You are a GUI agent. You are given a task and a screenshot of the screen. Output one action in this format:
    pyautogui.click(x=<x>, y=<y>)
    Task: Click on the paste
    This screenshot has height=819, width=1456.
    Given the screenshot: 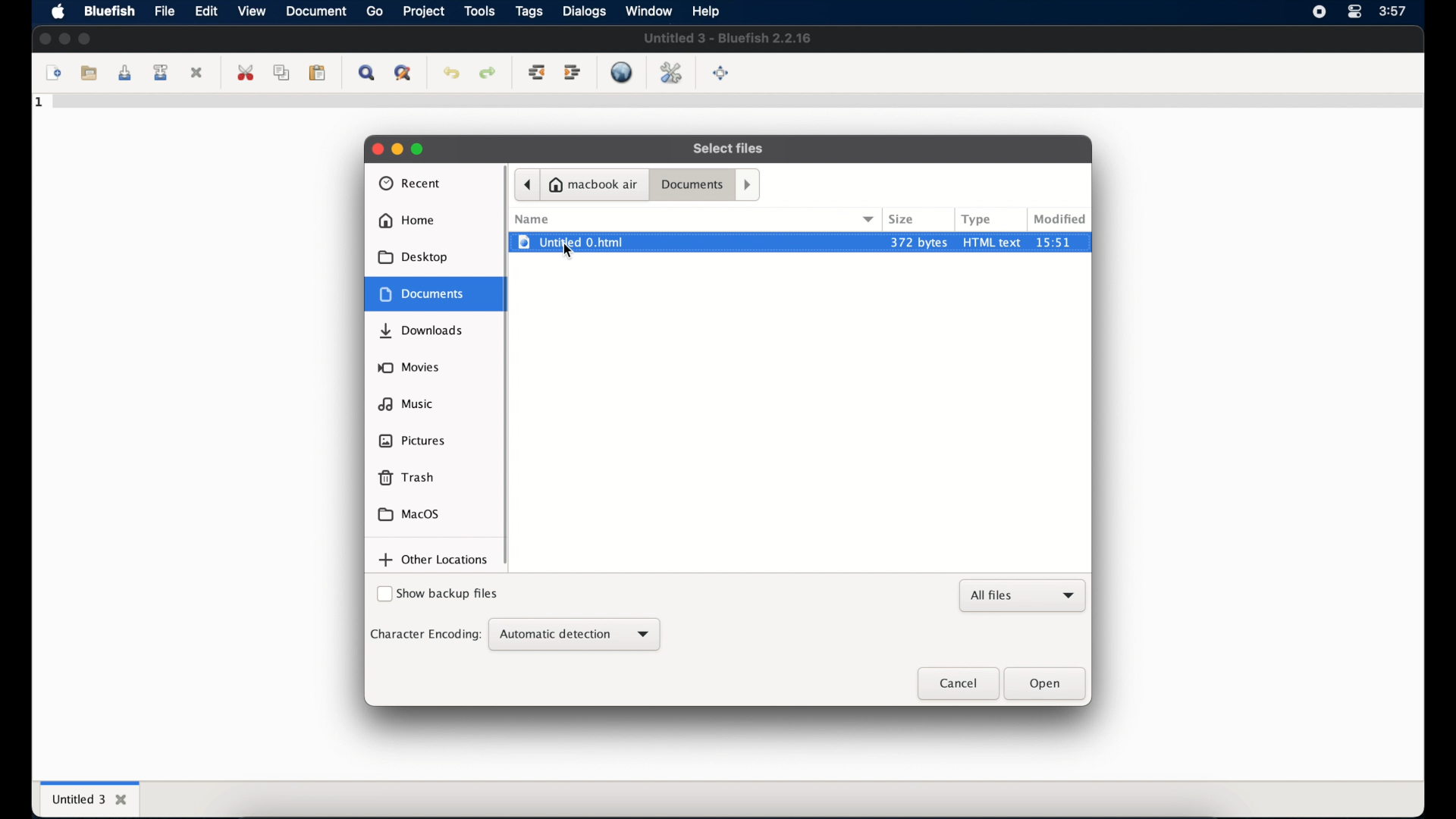 What is the action you would take?
    pyautogui.click(x=318, y=74)
    